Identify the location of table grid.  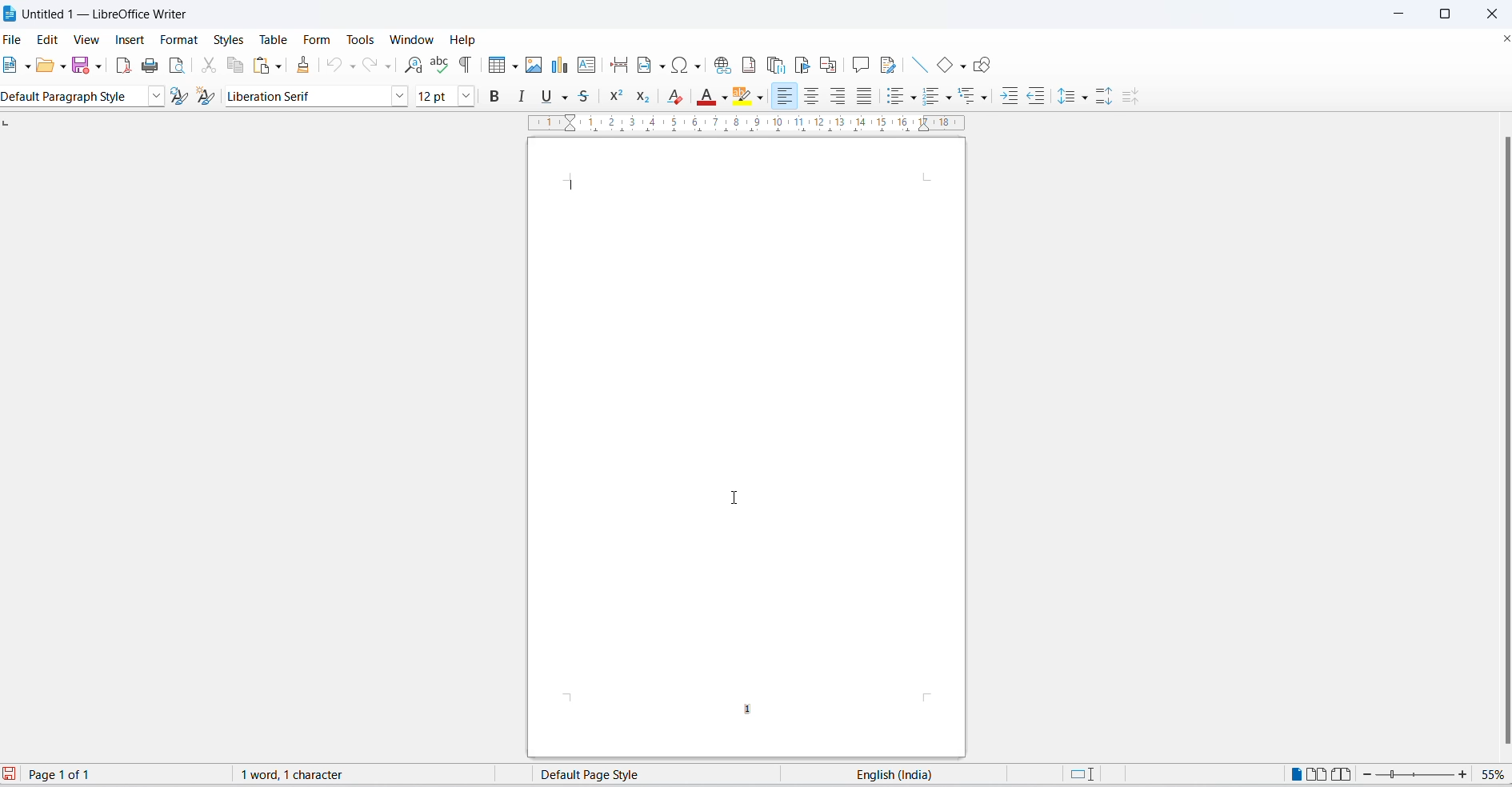
(513, 66).